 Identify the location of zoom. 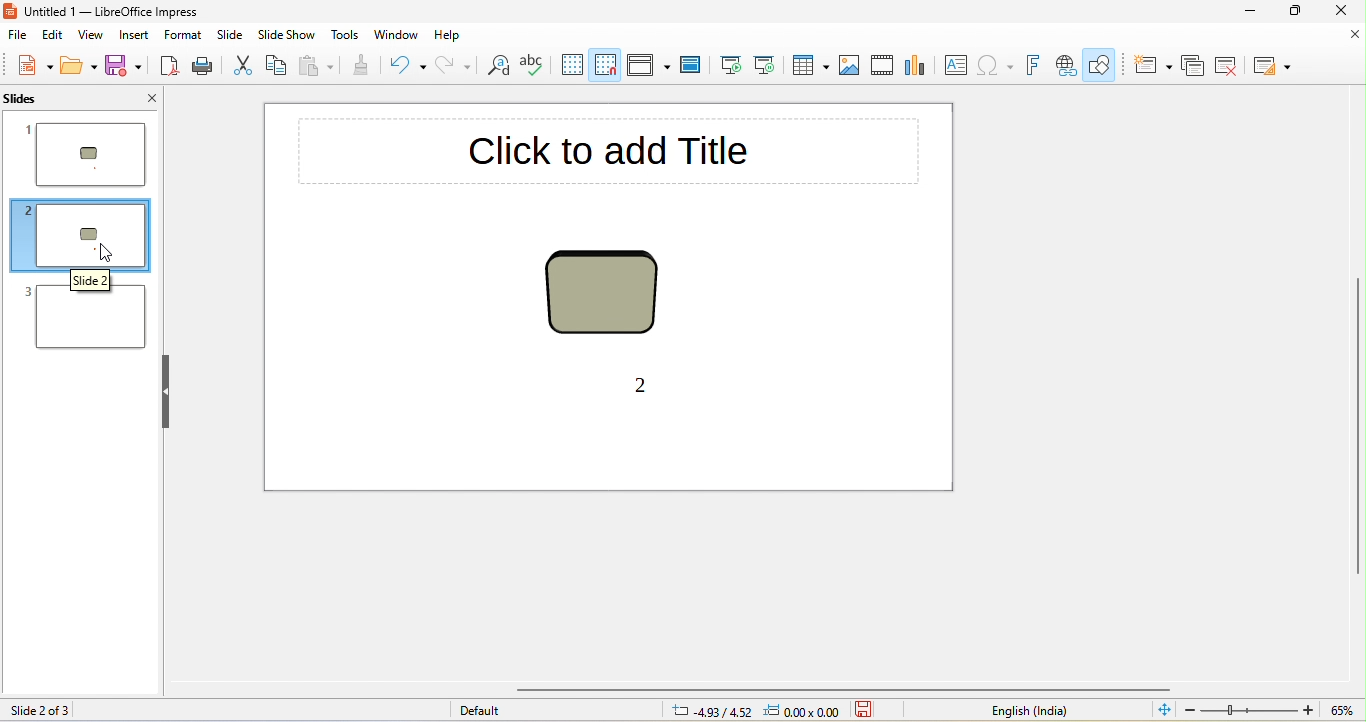
(1269, 711).